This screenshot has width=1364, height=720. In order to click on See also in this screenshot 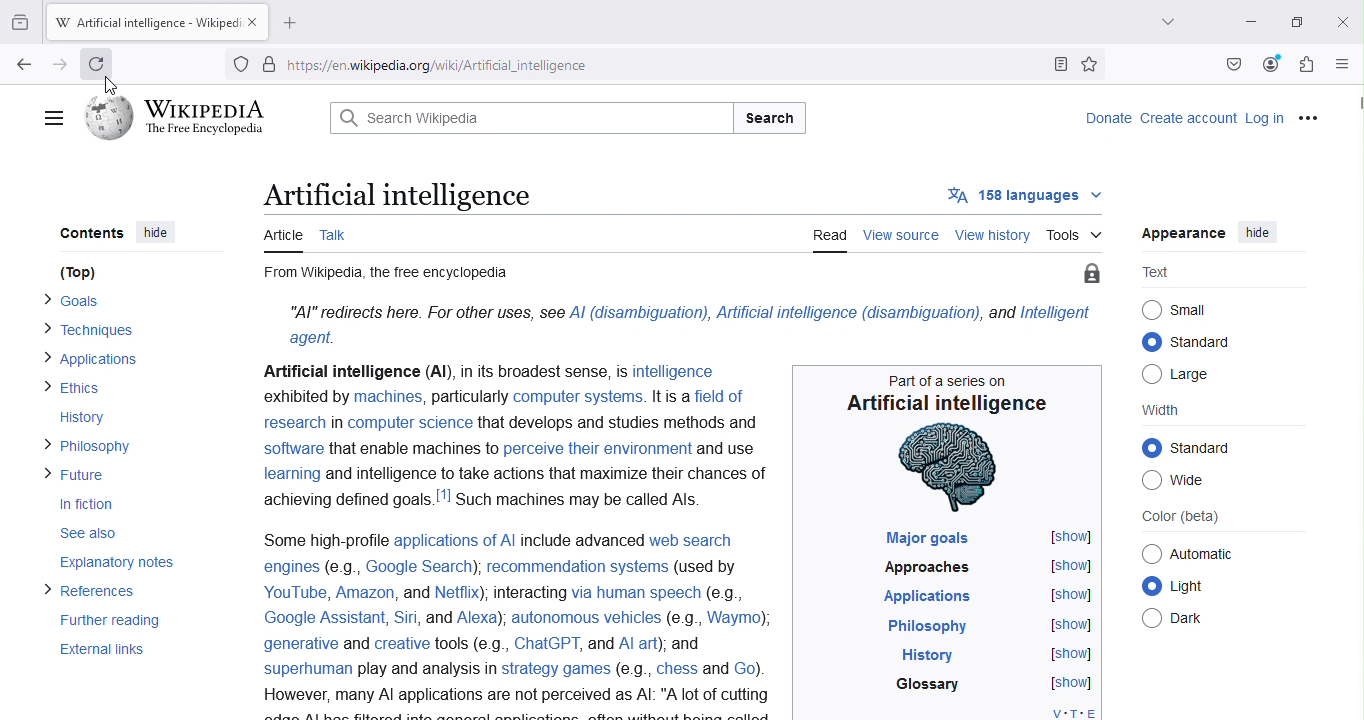, I will do `click(97, 536)`.